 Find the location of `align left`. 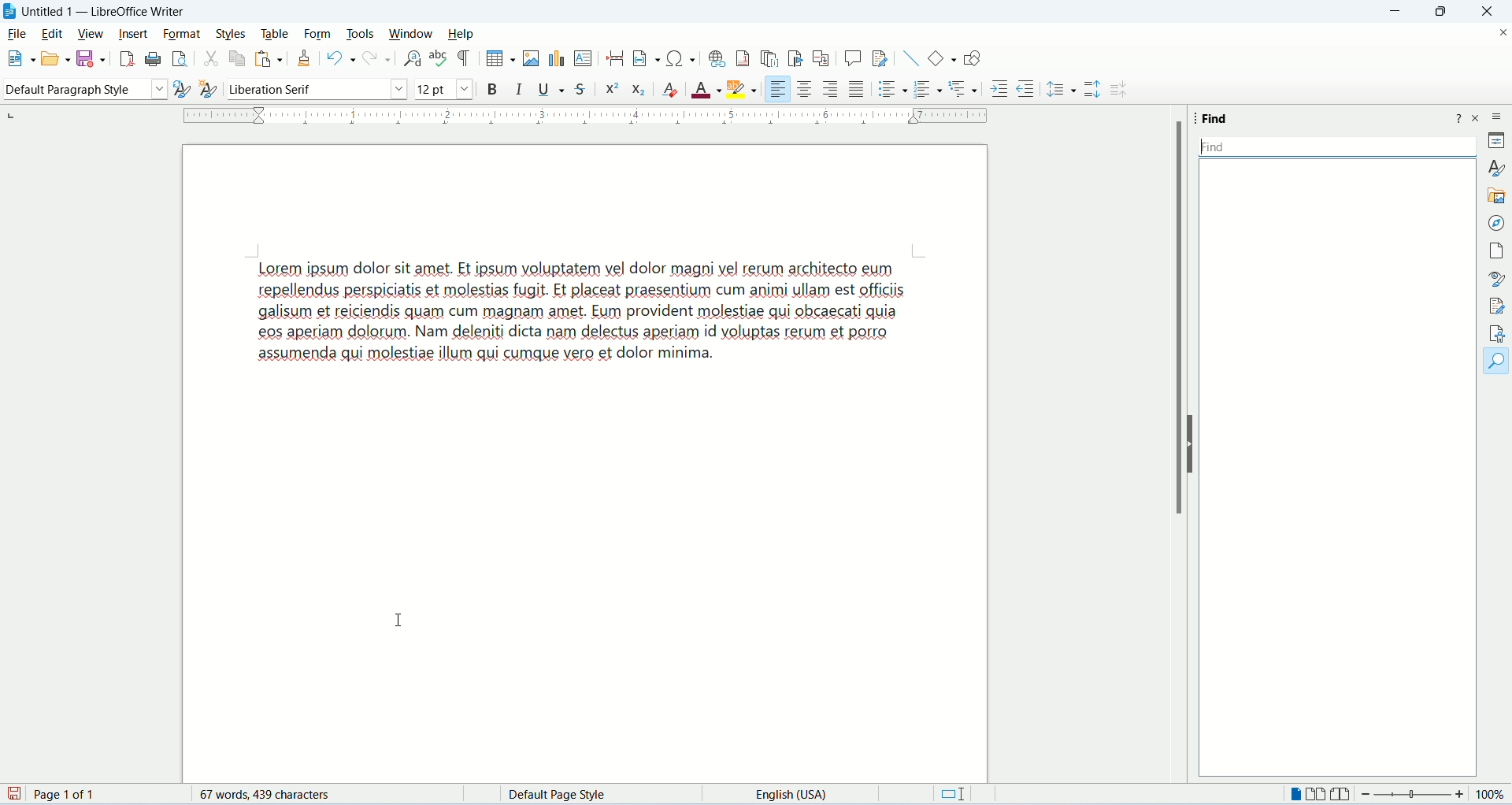

align left is located at coordinates (776, 88).